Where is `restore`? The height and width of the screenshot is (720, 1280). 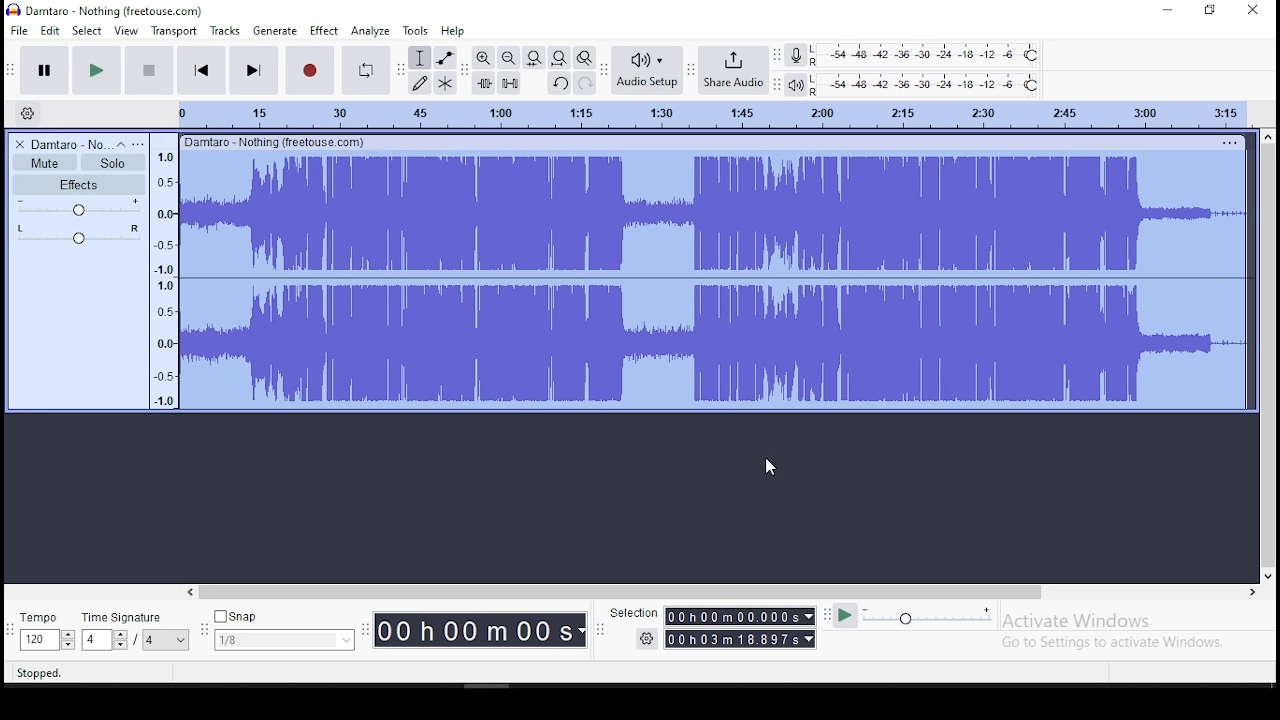 restore is located at coordinates (1212, 9).